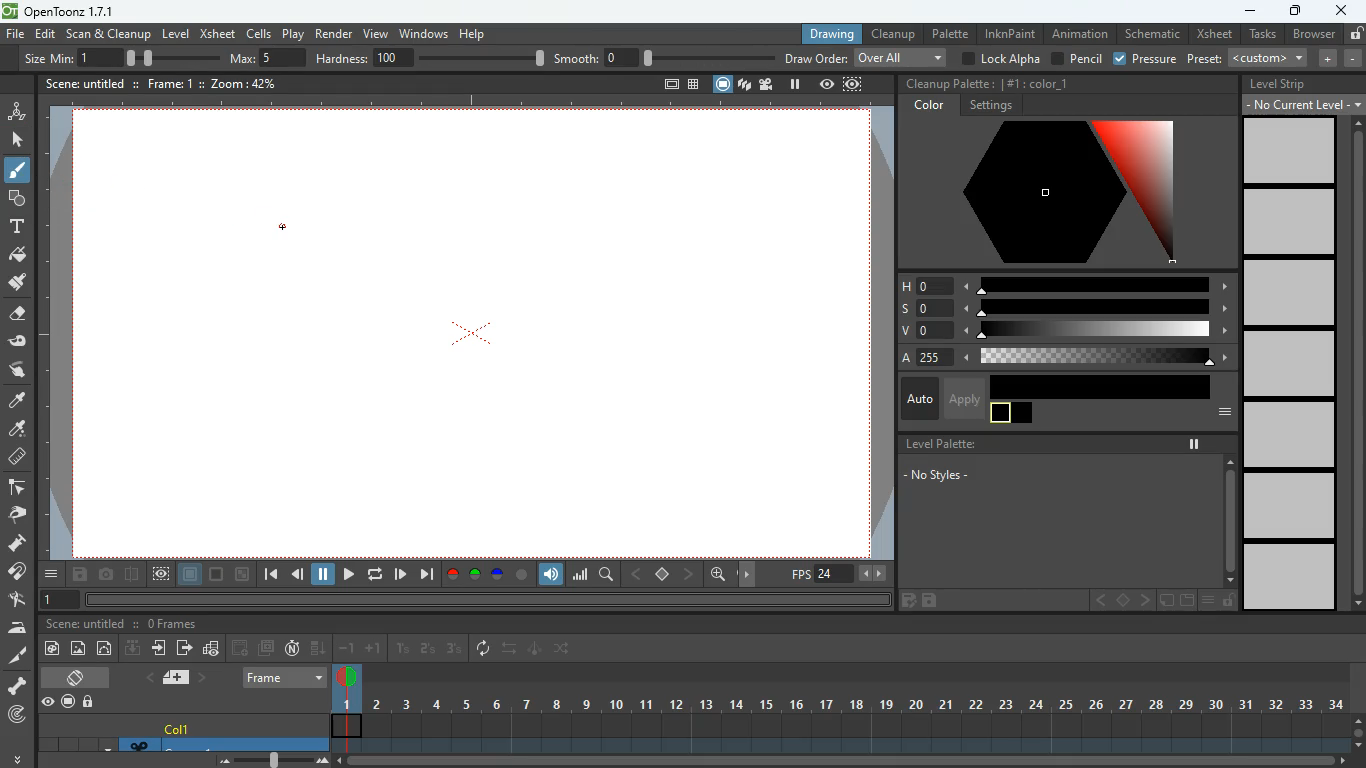 Image resolution: width=1366 pixels, height=768 pixels. I want to click on no current level, so click(1304, 104).